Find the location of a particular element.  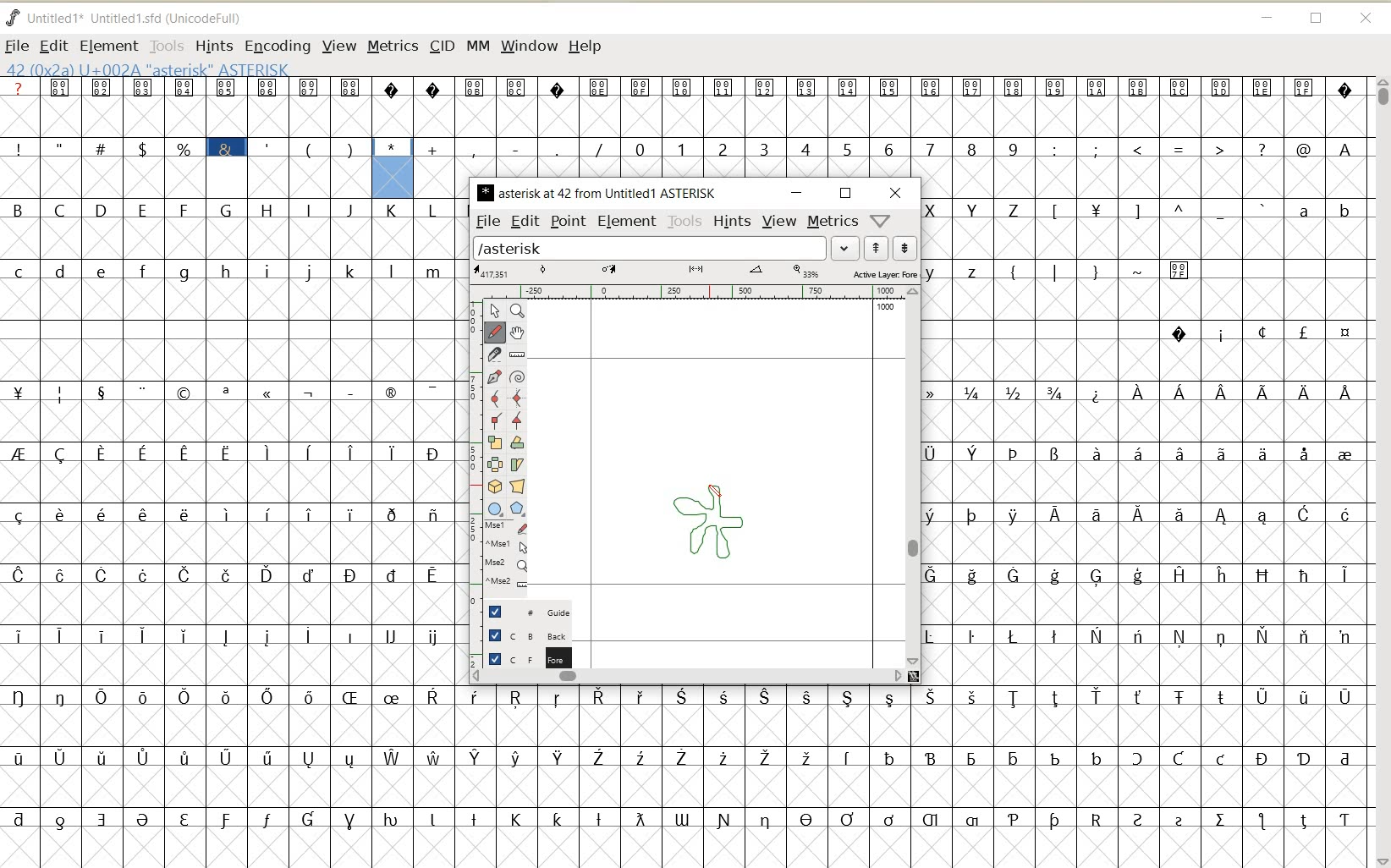

metrics is located at coordinates (833, 222).